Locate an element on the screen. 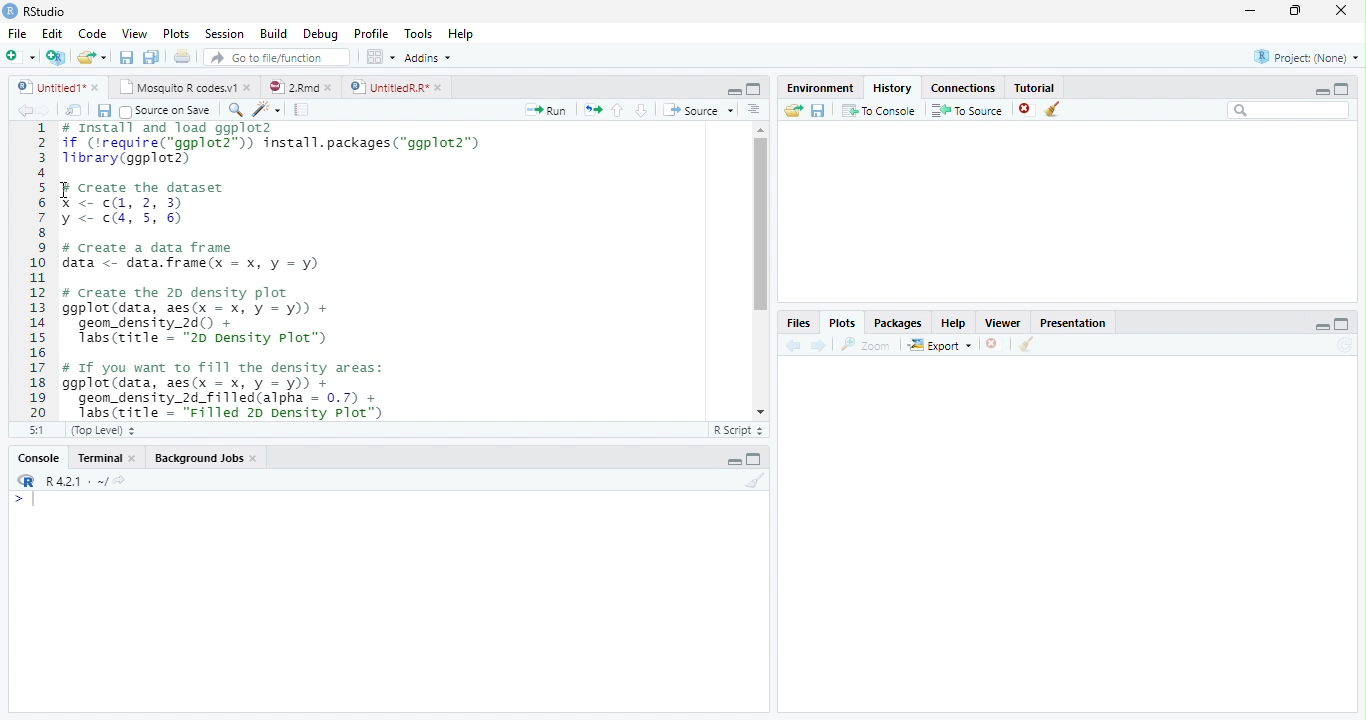  Scrollbar down is located at coordinates (760, 412).